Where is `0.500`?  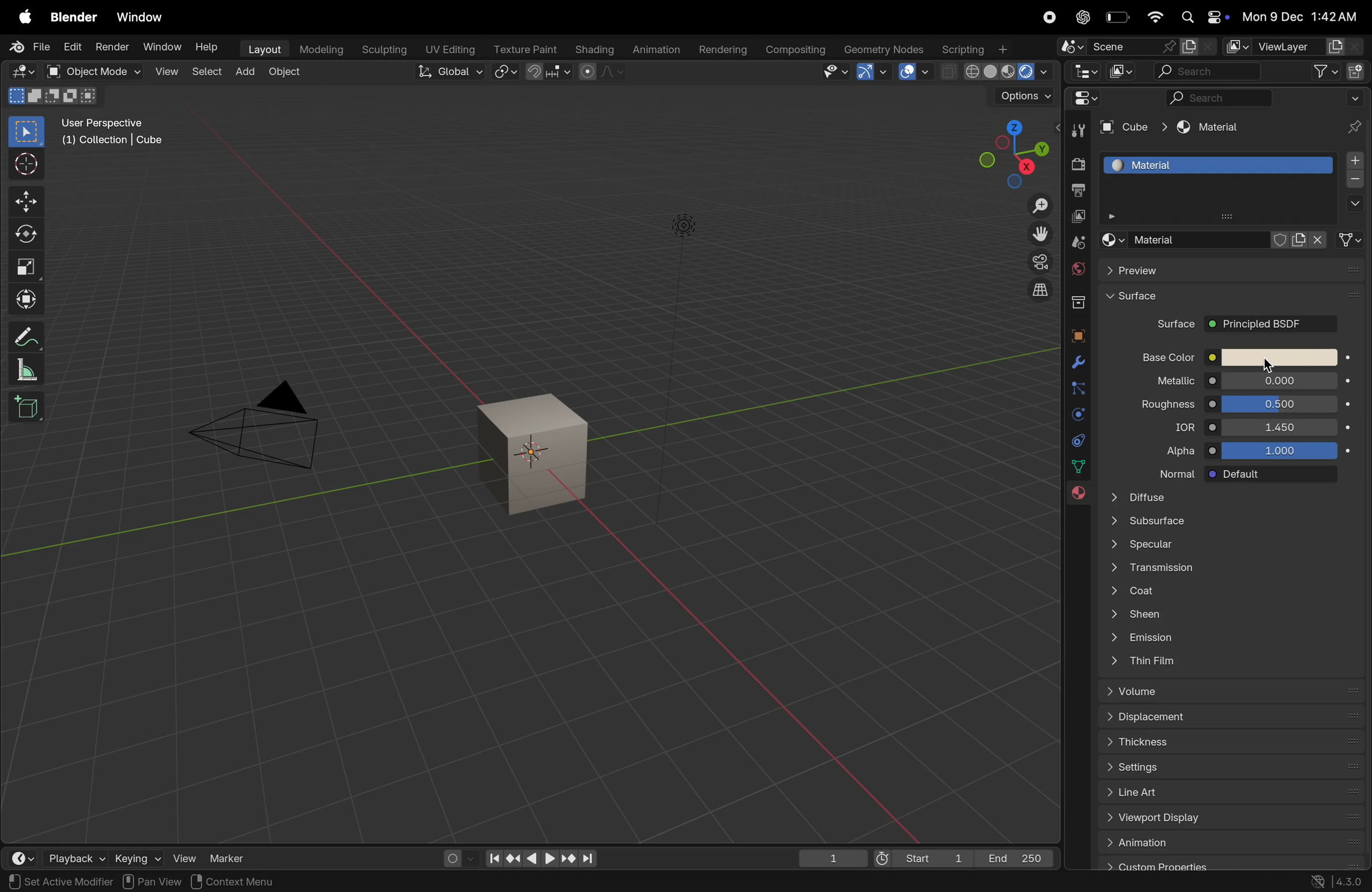
0.500 is located at coordinates (1280, 404).